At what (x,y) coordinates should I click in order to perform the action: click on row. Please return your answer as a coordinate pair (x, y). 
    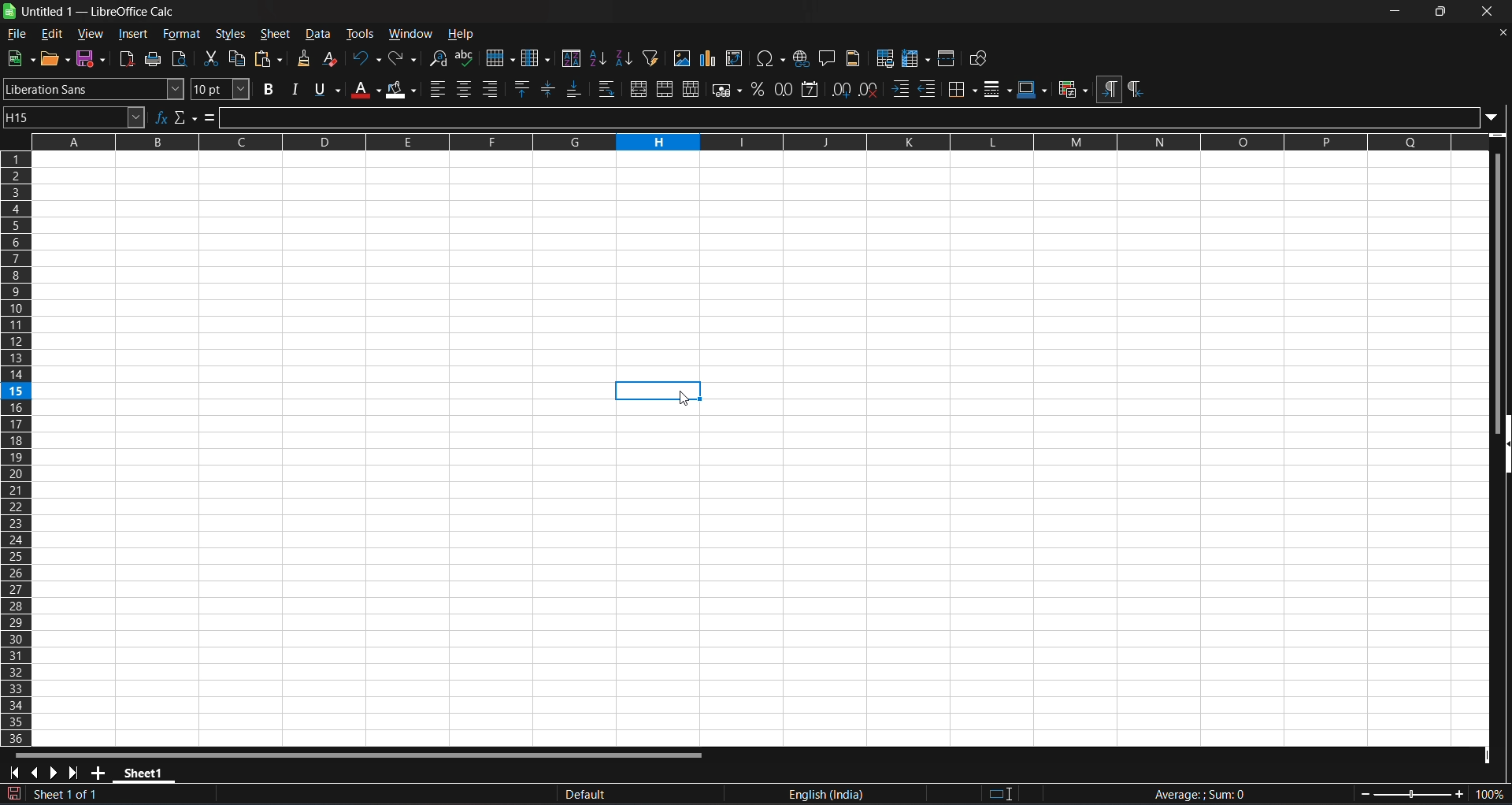
    Looking at the image, I should click on (501, 57).